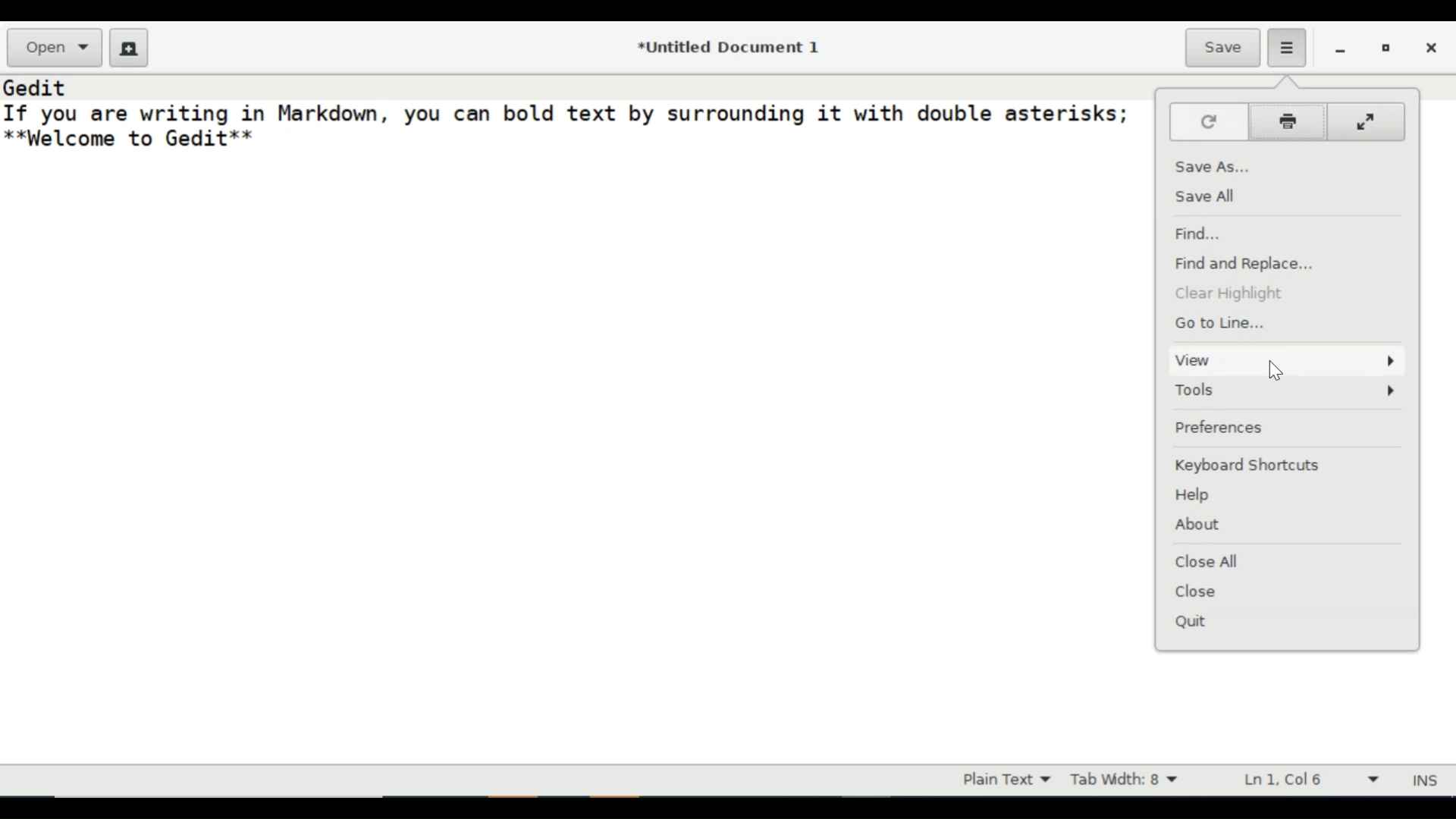  I want to click on Tools, so click(1286, 391).